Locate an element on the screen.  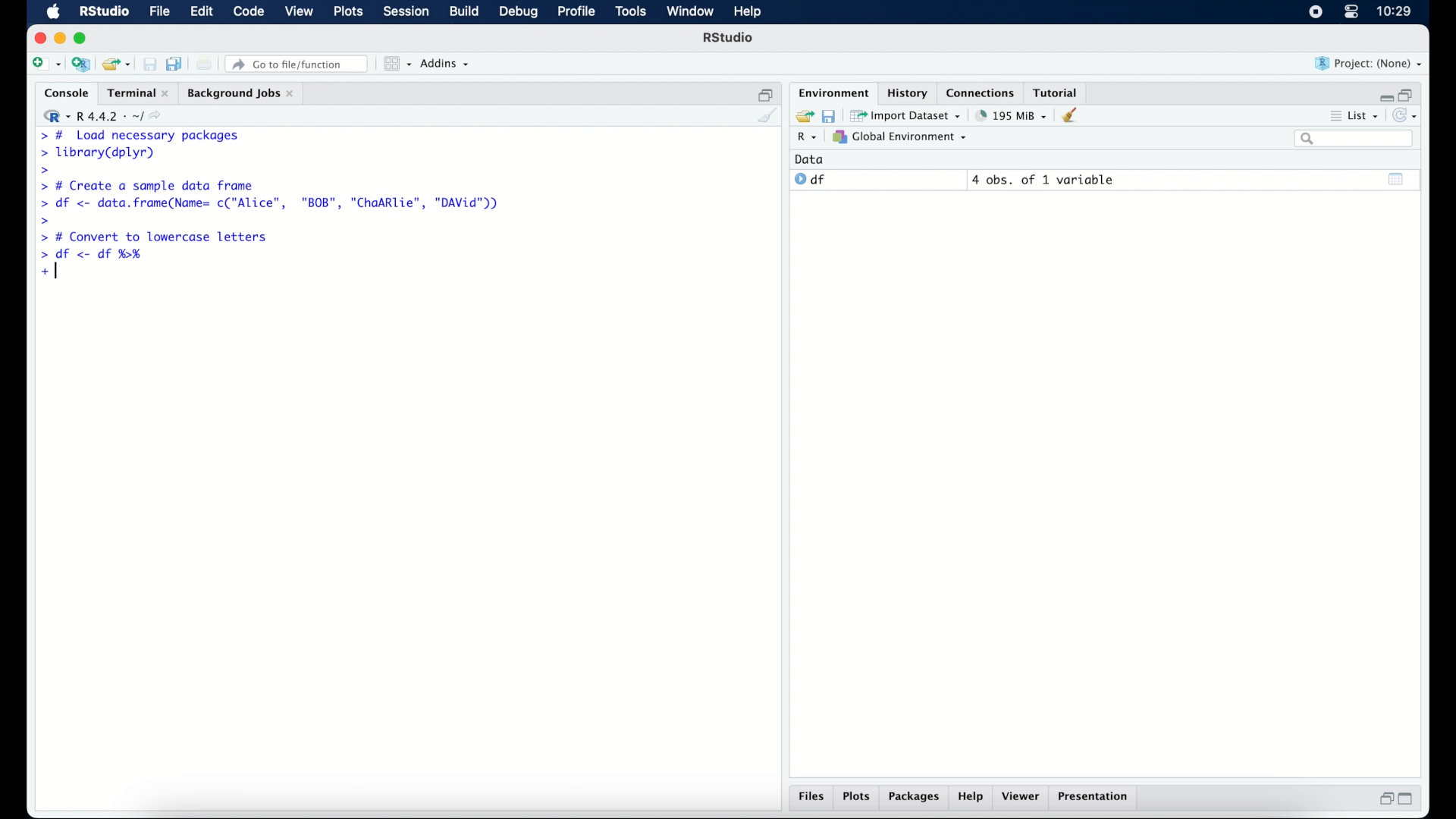
addins is located at coordinates (445, 64).